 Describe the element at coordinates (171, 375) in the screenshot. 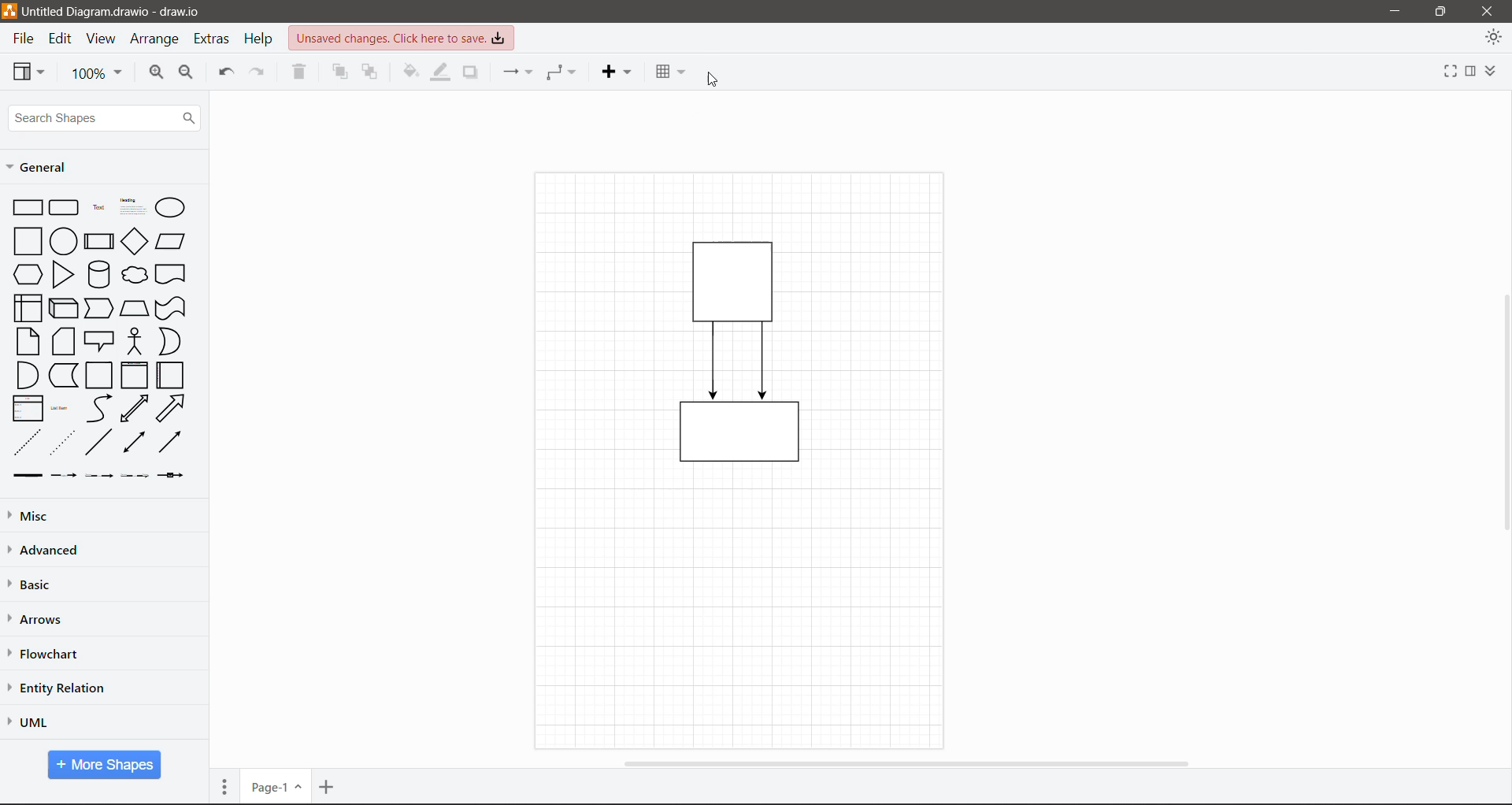

I see `Horizontal Container` at that location.